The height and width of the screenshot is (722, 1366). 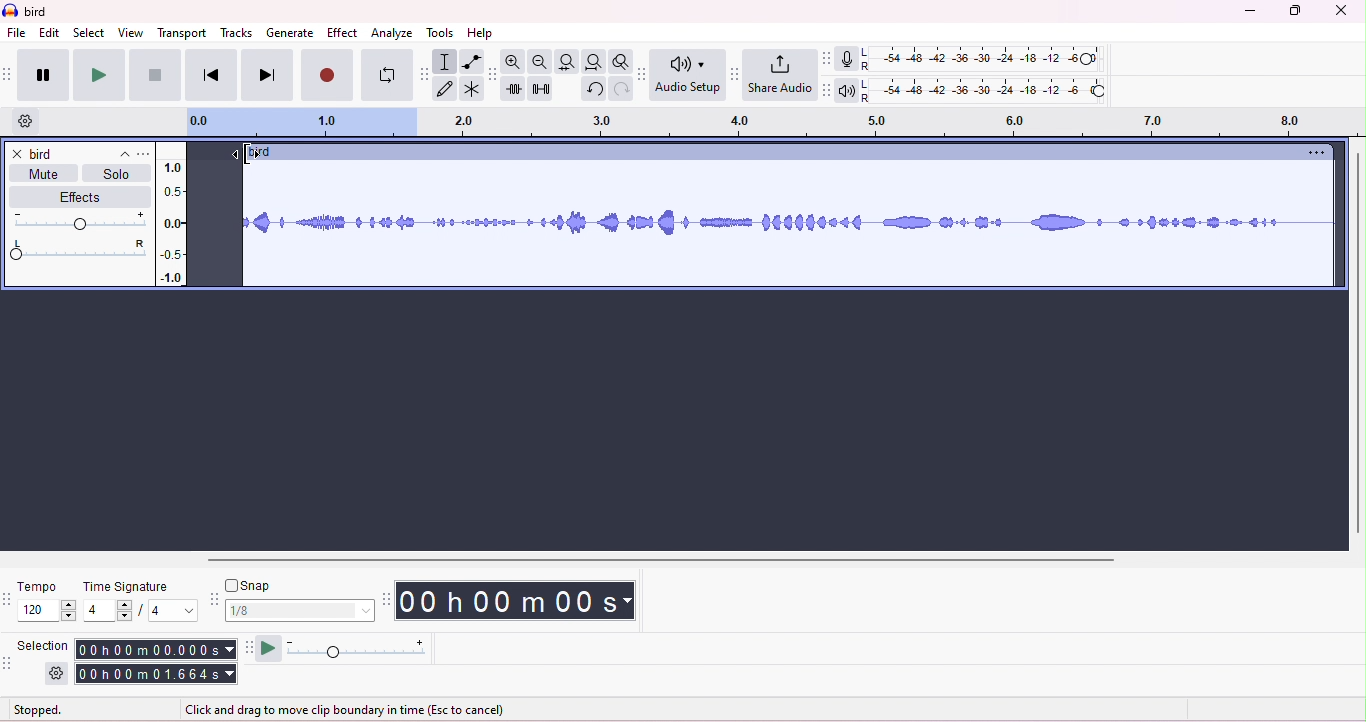 What do you see at coordinates (592, 91) in the screenshot?
I see `undo` at bounding box center [592, 91].